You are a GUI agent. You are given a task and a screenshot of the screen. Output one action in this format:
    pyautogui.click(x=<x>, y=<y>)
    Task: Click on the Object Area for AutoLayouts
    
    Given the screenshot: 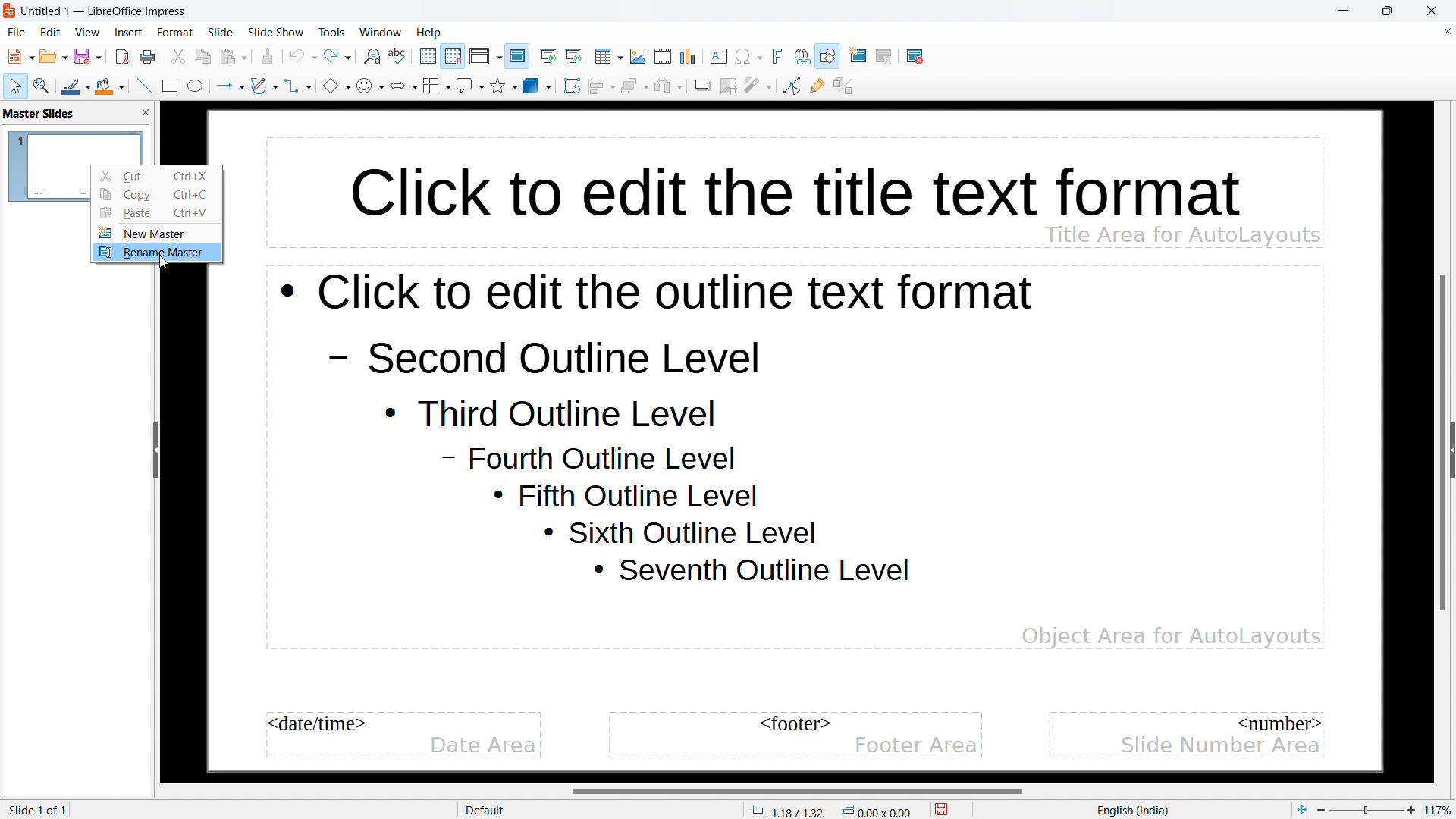 What is the action you would take?
    pyautogui.click(x=1171, y=629)
    